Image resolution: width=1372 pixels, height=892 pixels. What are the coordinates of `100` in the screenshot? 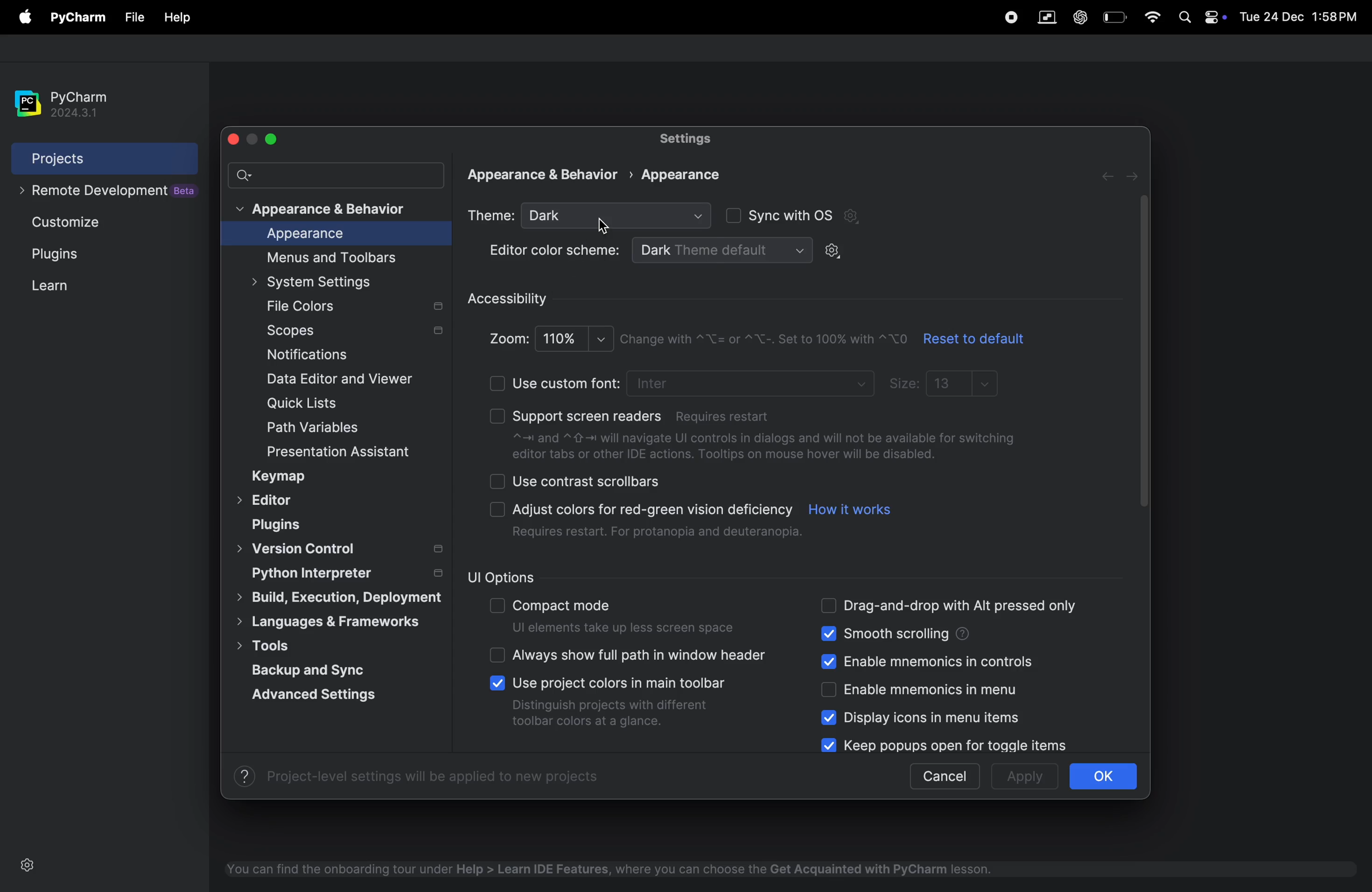 It's located at (573, 338).